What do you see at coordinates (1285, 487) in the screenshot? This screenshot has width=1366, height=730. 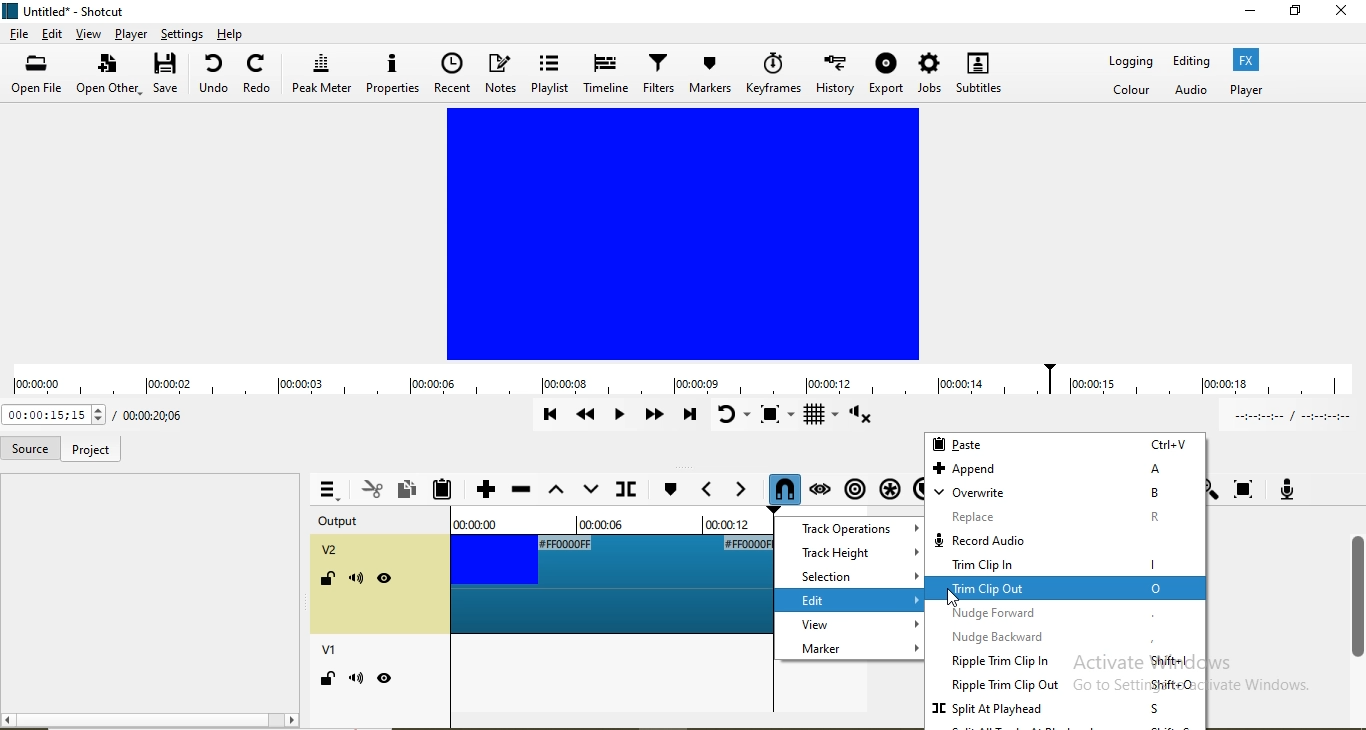 I see `Record audio` at bounding box center [1285, 487].